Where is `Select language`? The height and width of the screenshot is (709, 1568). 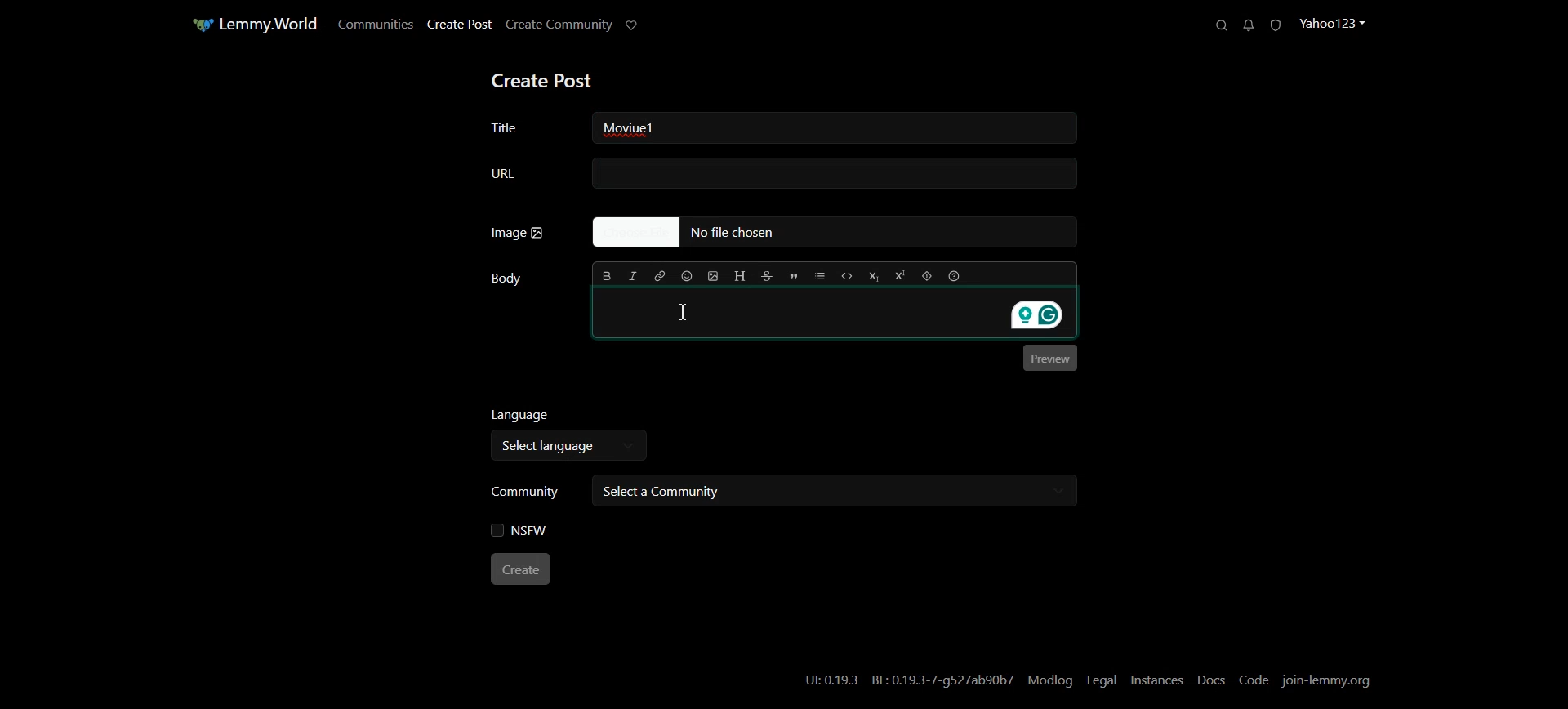 Select language is located at coordinates (563, 448).